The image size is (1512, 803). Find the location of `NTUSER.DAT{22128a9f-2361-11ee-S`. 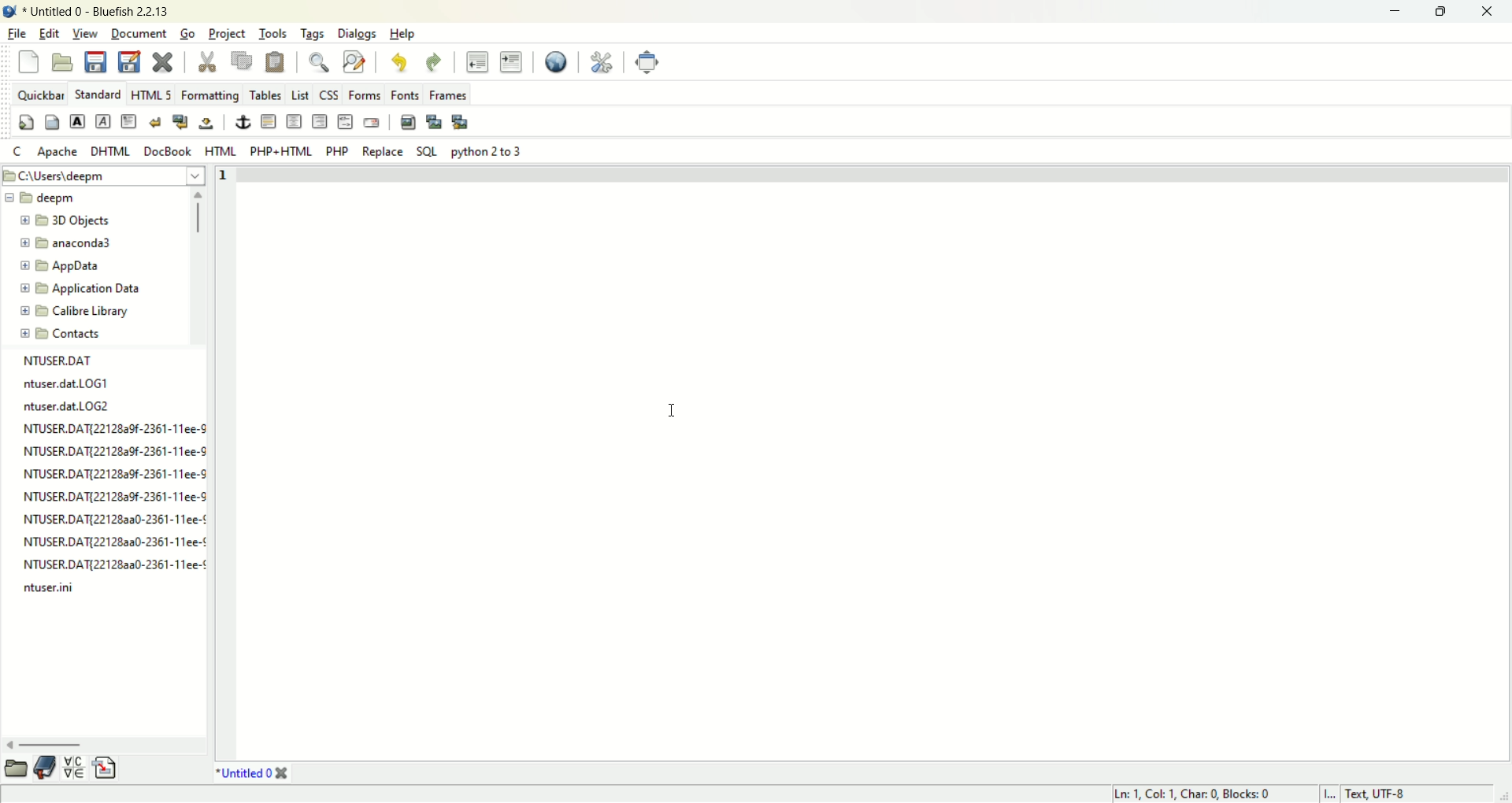

NTUSER.DAT{22128a9f-2361-11ee-S is located at coordinates (110, 450).